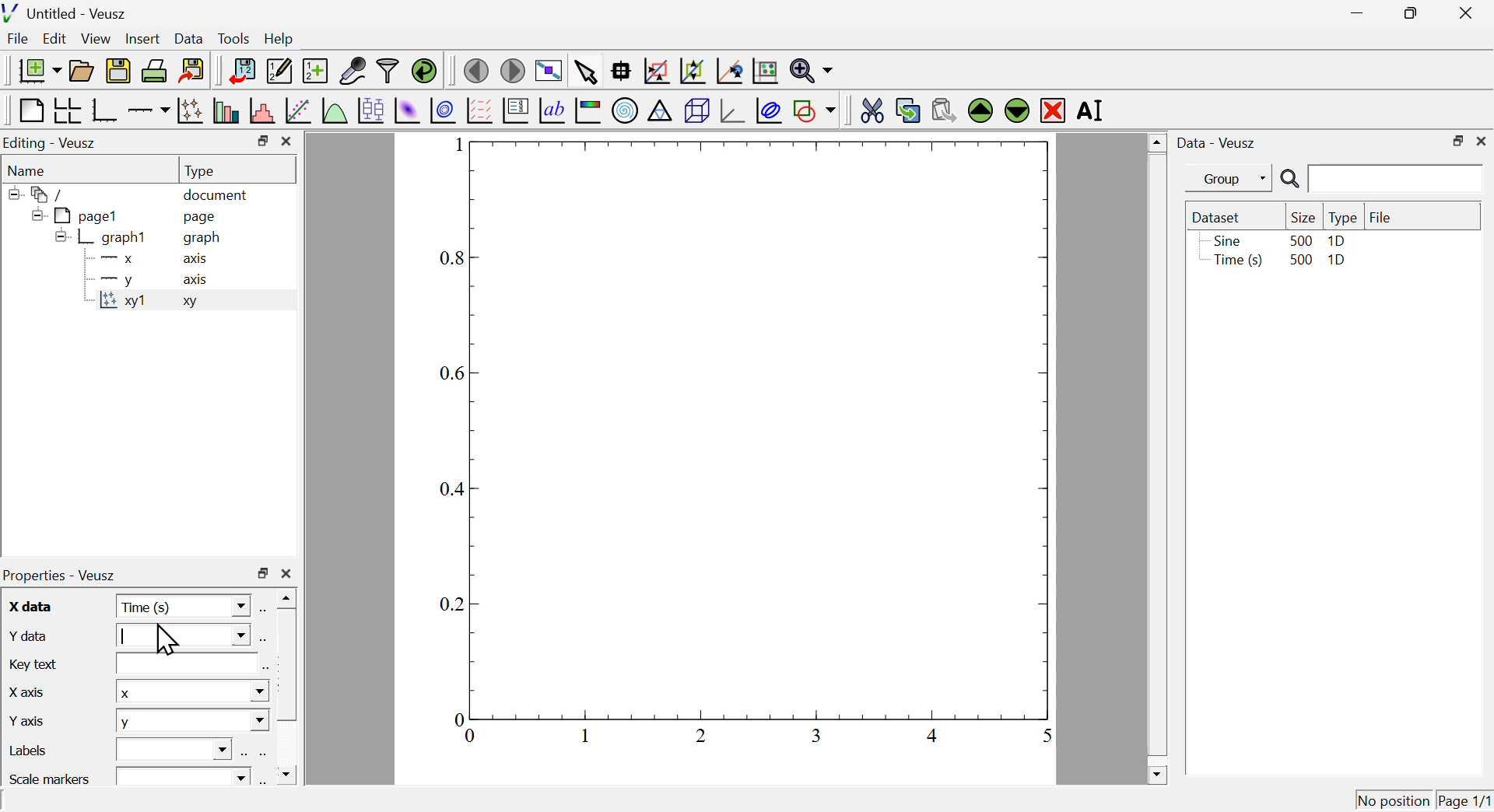 The image size is (1494, 812). I want to click on maximize, so click(262, 574).